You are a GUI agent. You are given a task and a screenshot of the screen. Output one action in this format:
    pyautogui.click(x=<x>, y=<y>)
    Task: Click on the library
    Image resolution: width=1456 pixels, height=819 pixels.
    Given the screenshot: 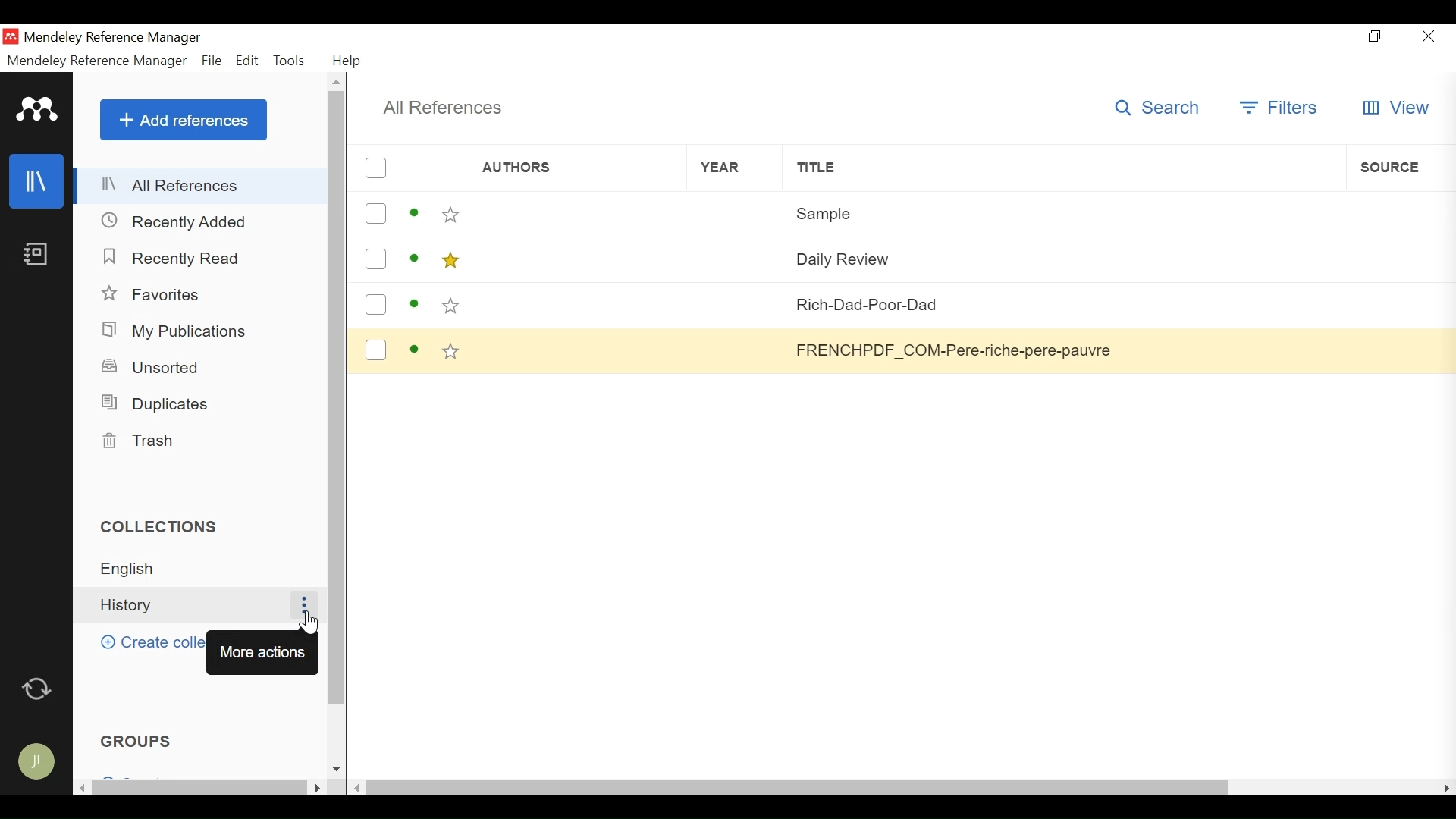 What is the action you would take?
    pyautogui.click(x=37, y=182)
    